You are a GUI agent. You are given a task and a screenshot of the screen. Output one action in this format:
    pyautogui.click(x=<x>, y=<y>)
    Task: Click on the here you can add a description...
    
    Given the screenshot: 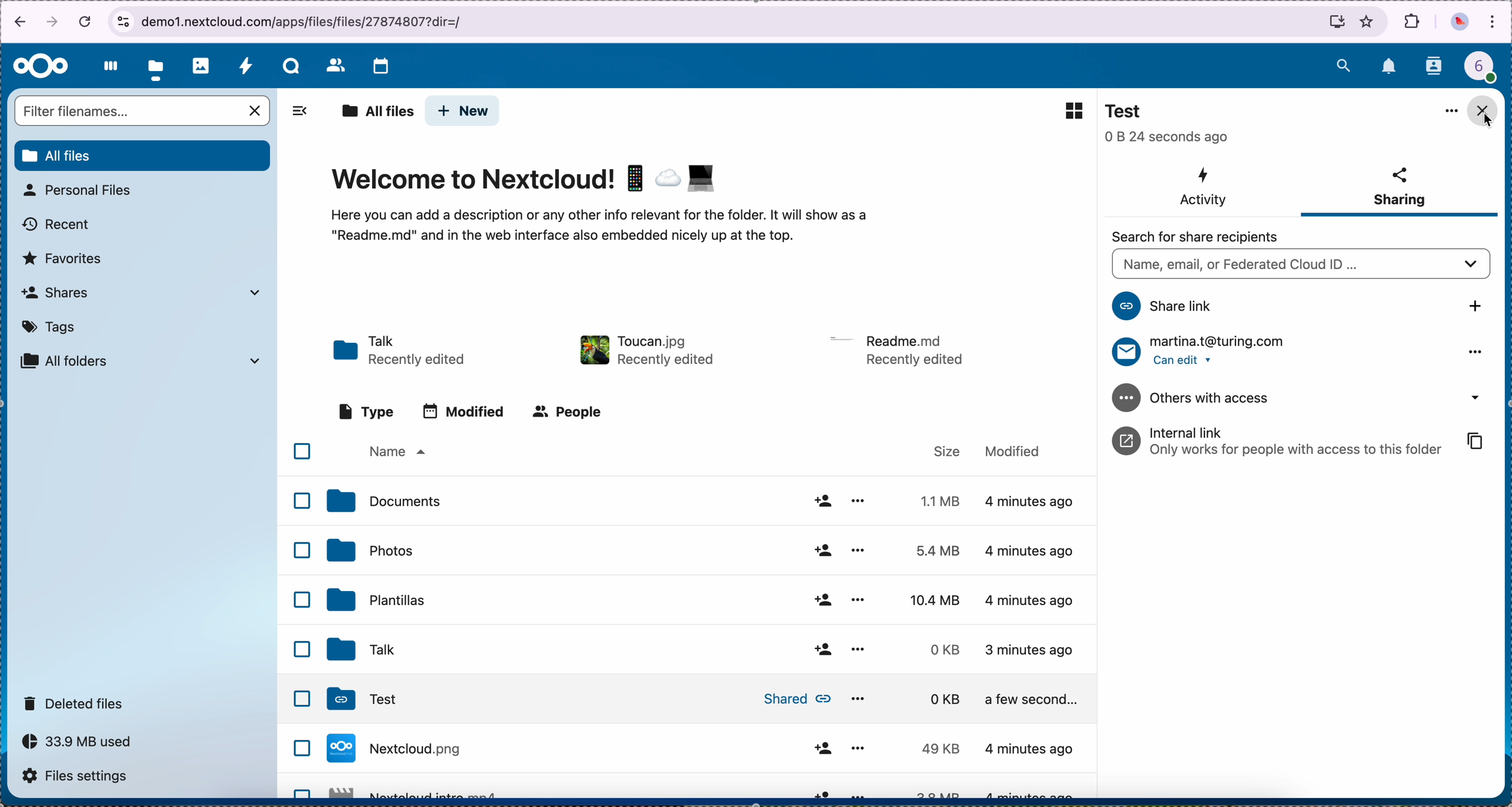 What is the action you would take?
    pyautogui.click(x=617, y=232)
    